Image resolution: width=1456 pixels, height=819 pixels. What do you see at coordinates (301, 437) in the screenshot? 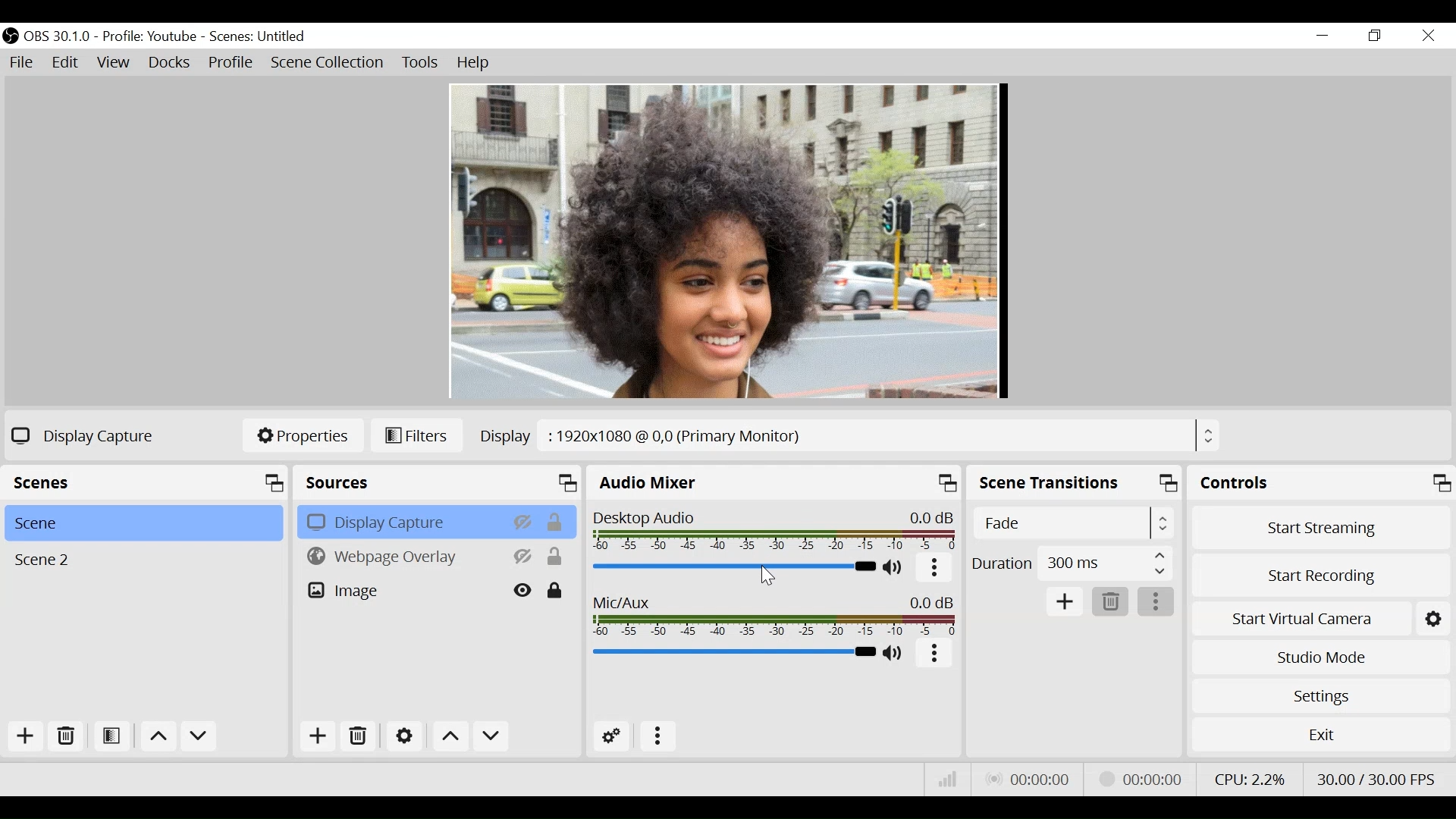
I see `Properties` at bounding box center [301, 437].